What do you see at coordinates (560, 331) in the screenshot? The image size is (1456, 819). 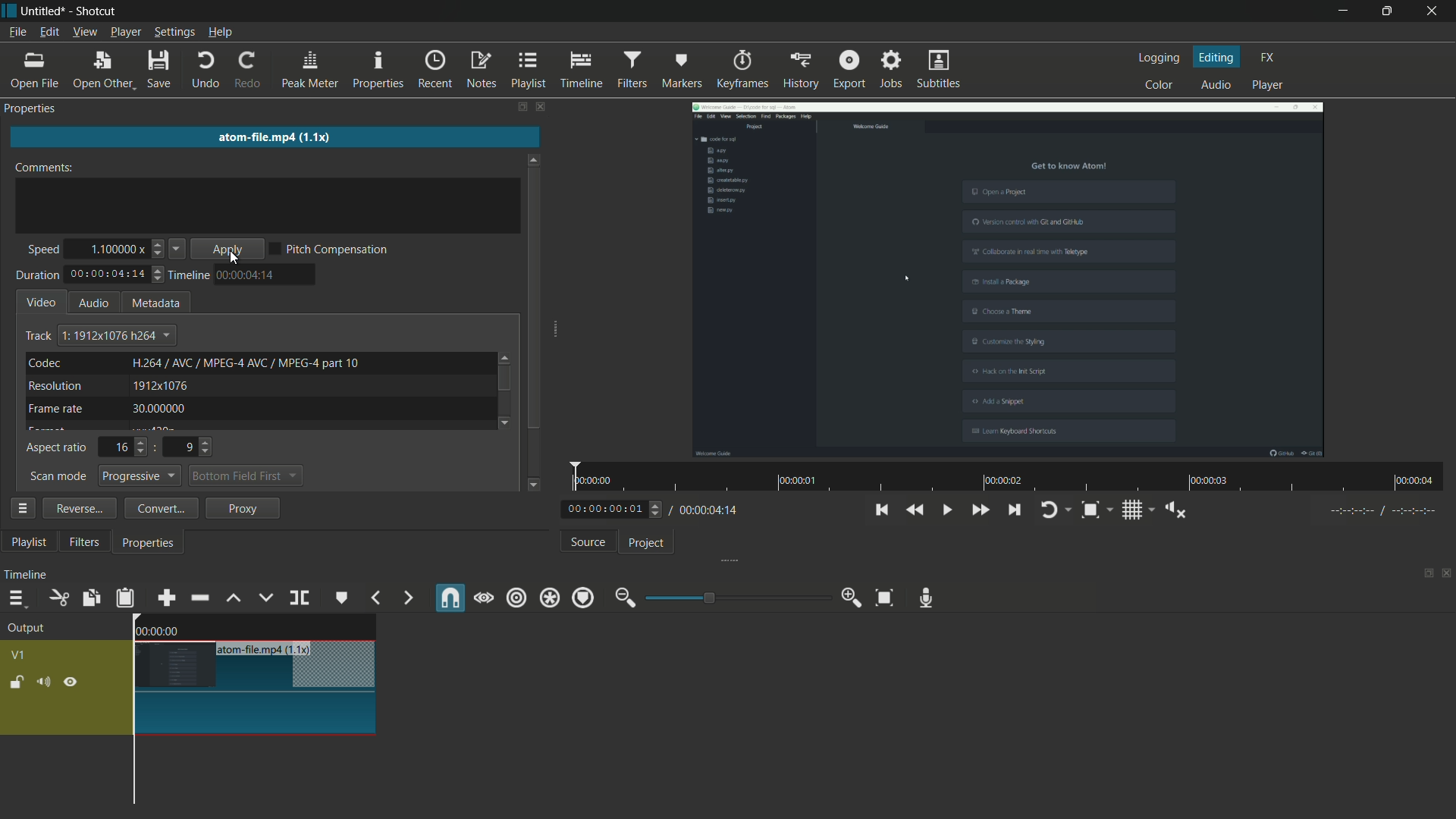 I see `expand` at bounding box center [560, 331].